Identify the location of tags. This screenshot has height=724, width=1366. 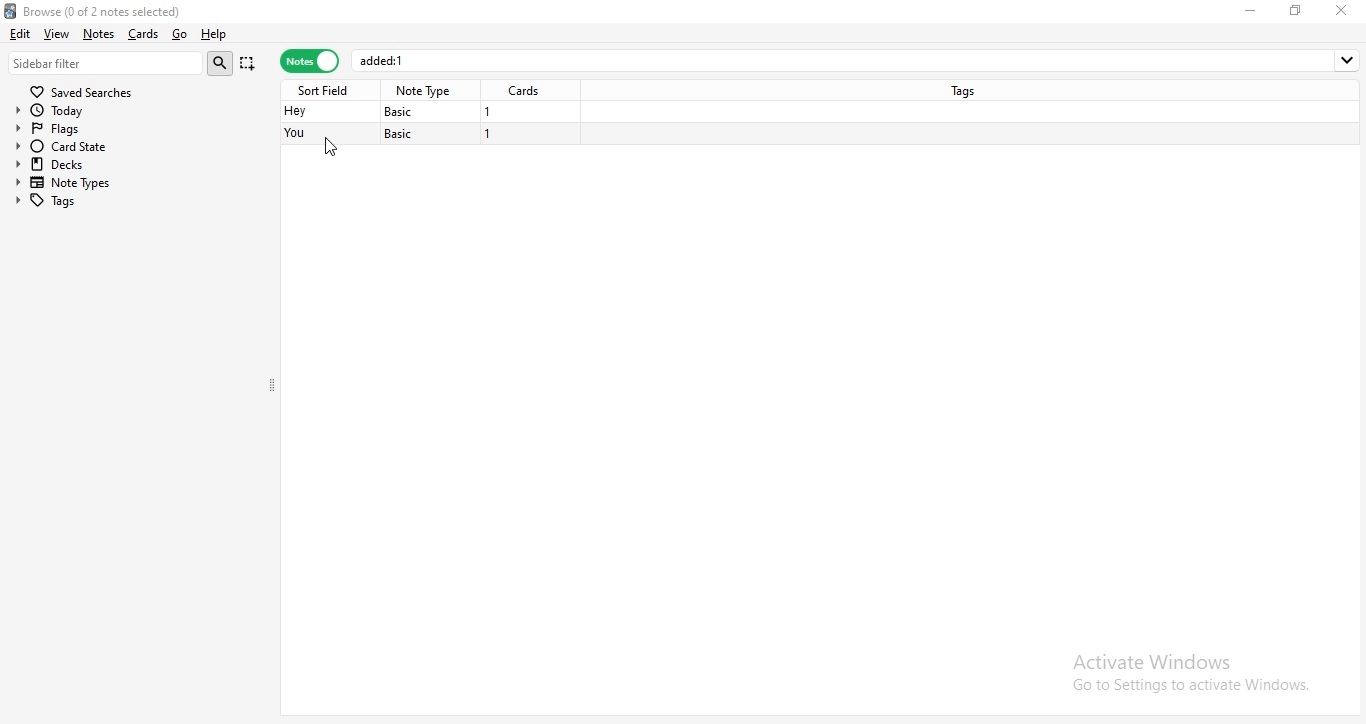
(65, 200).